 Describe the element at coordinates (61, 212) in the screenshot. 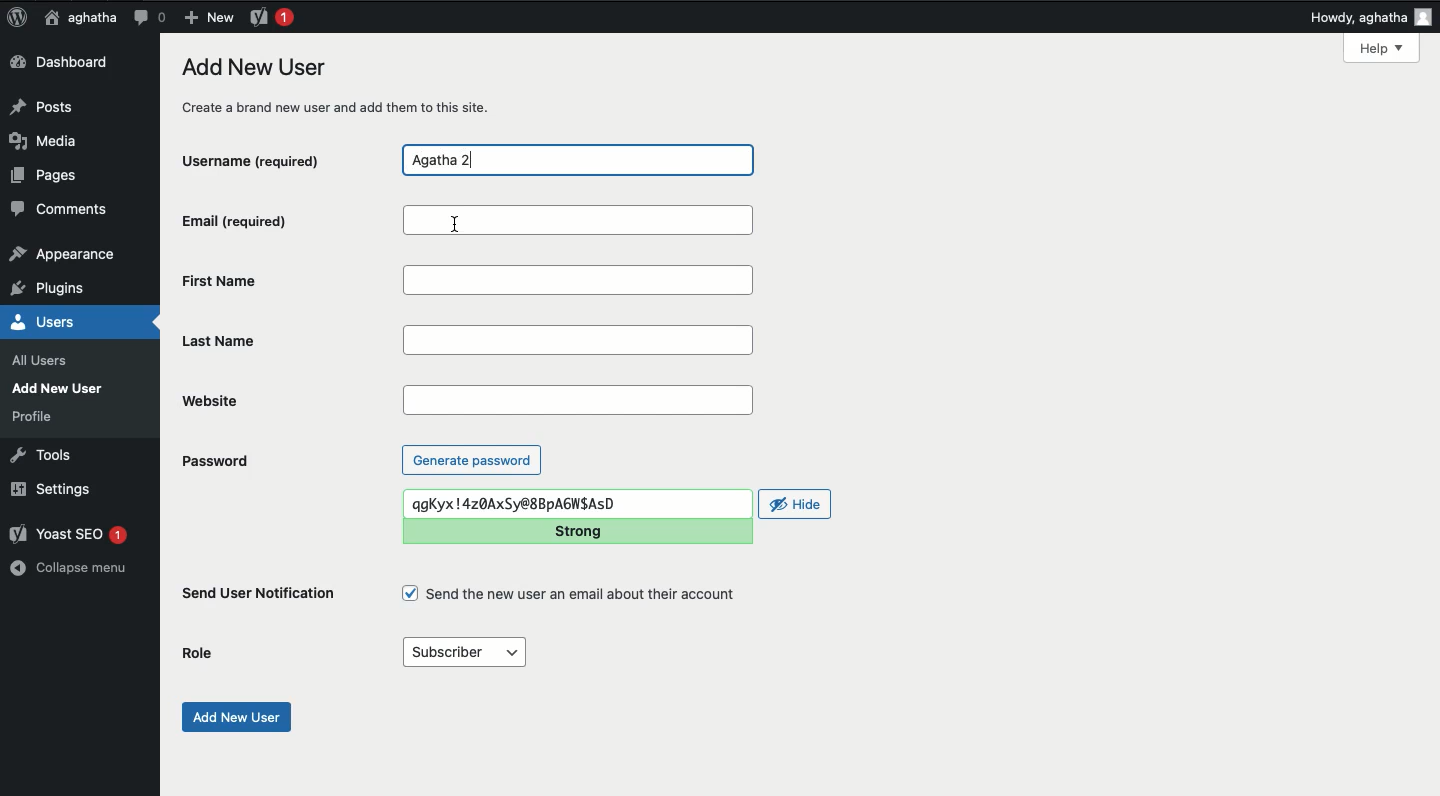

I see `Comments` at that location.